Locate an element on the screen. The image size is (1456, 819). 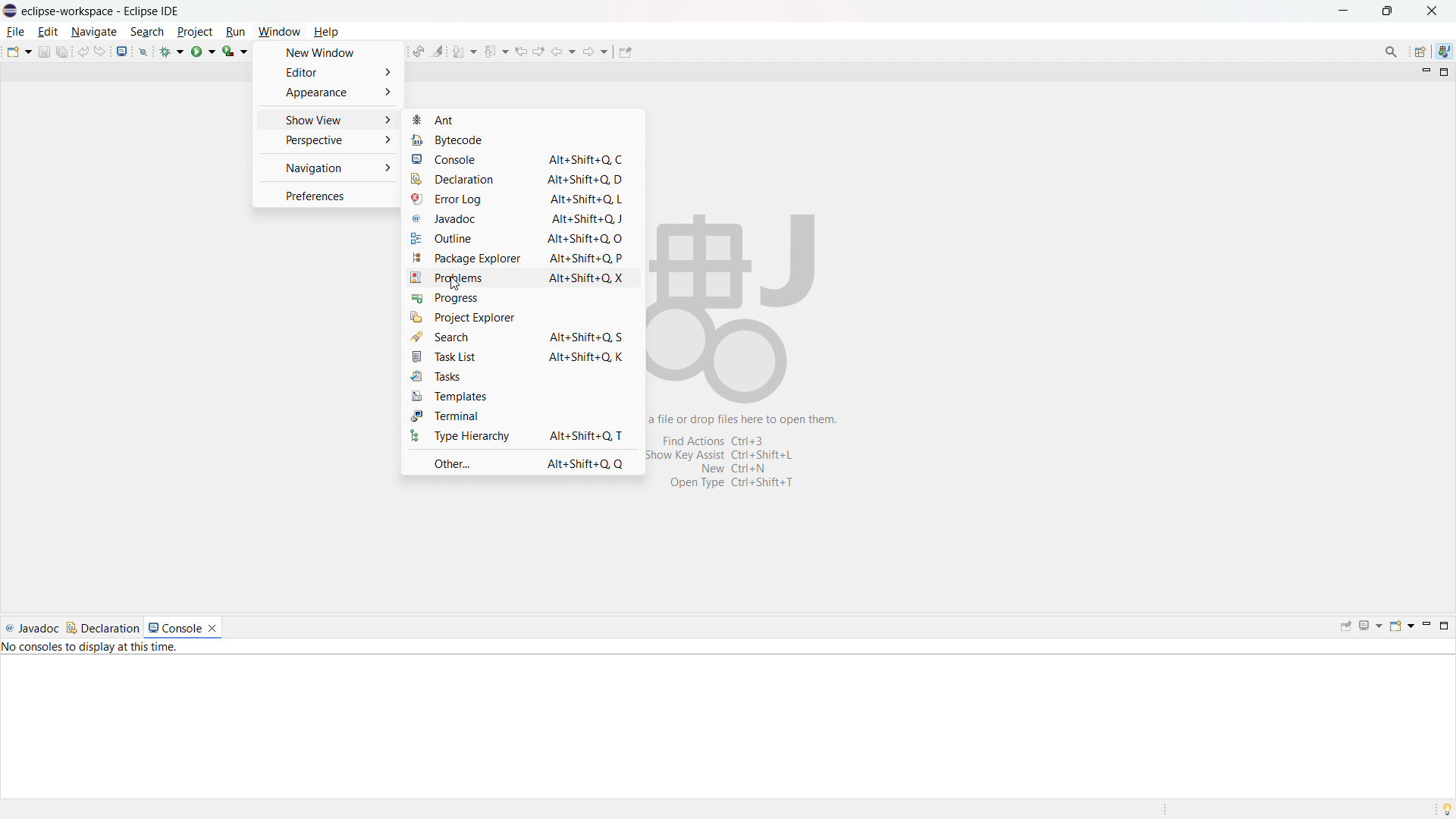
back is located at coordinates (565, 50).